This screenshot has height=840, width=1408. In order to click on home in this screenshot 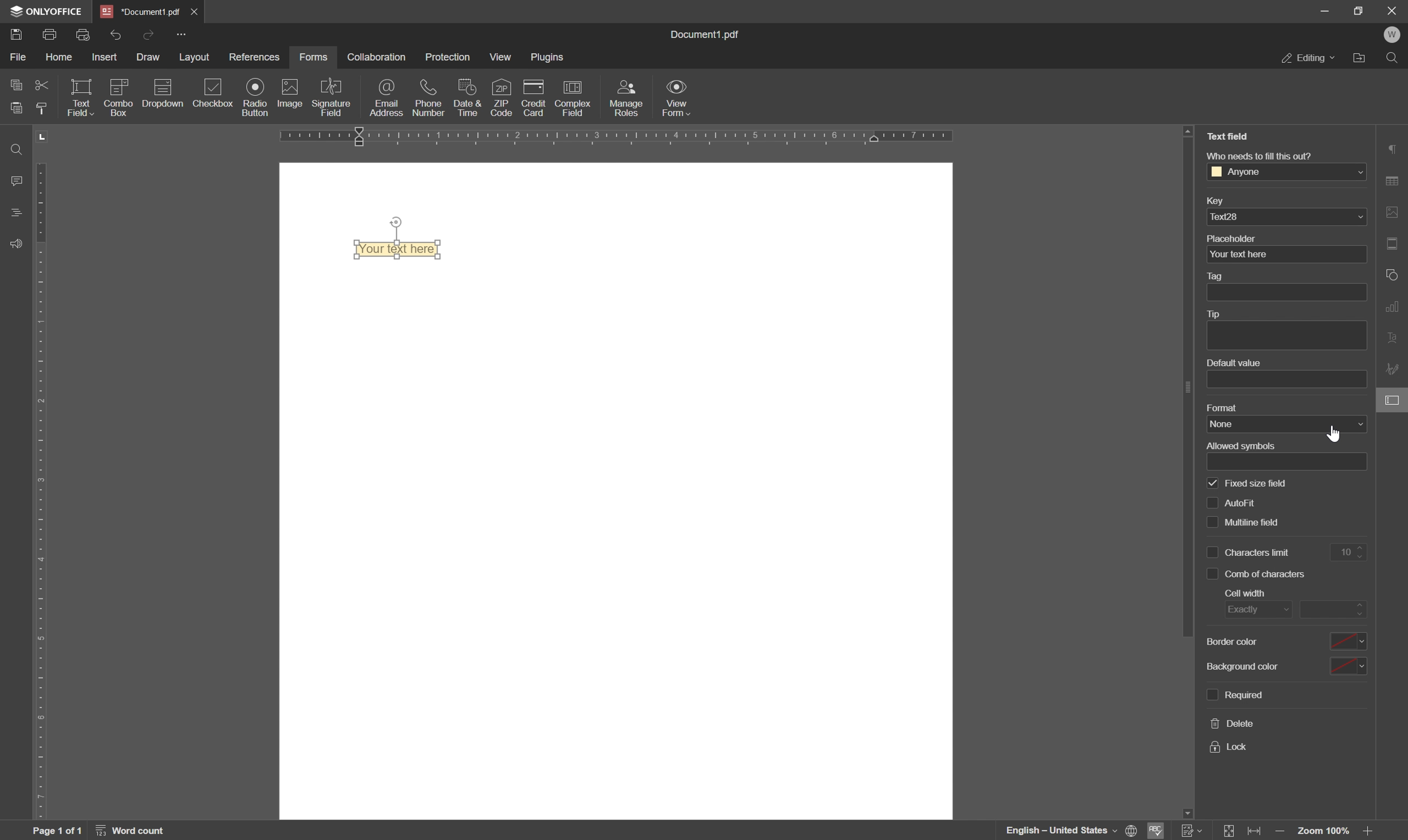, I will do `click(60, 59)`.